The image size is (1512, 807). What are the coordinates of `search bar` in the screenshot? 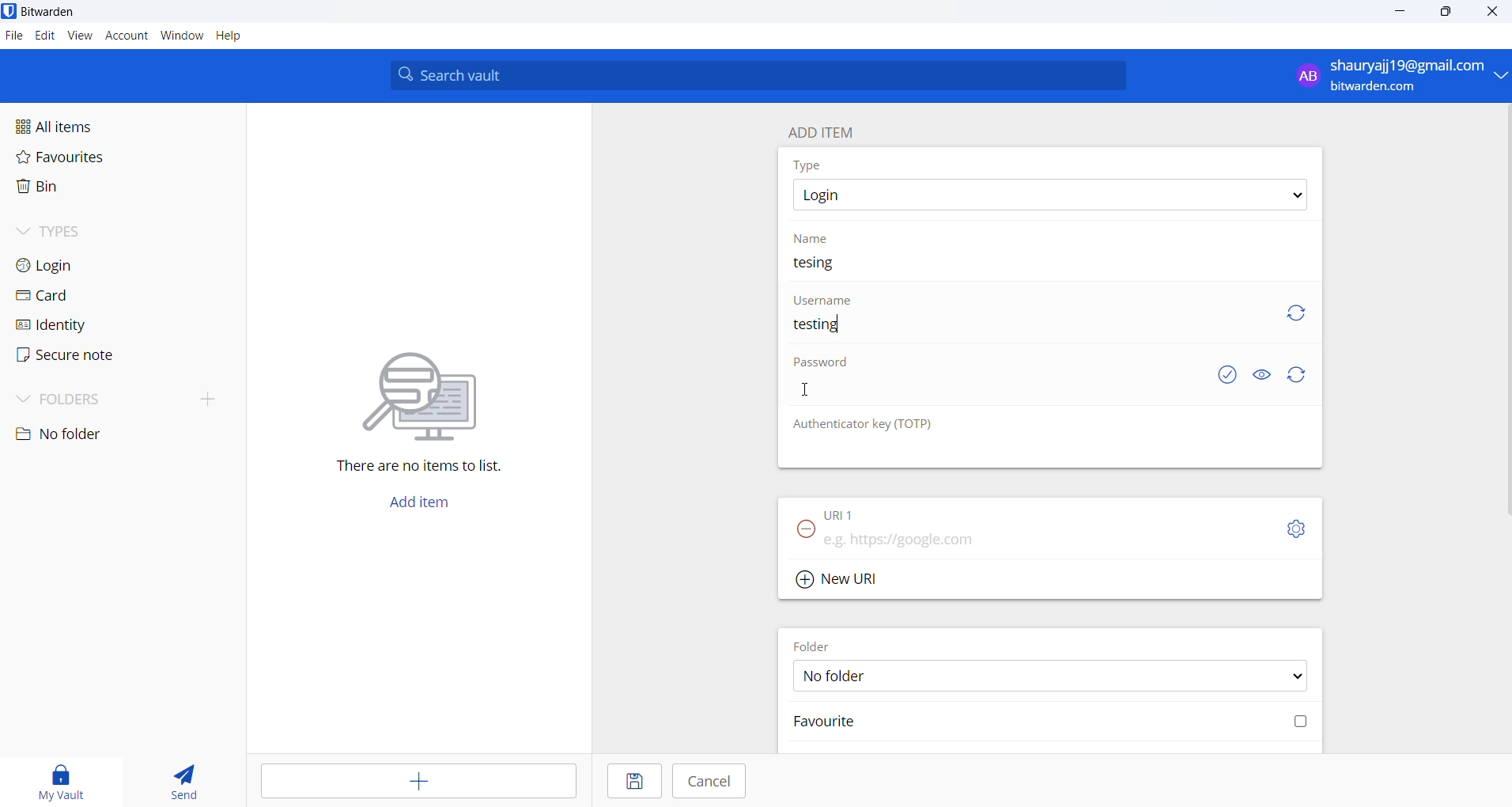 It's located at (764, 75).